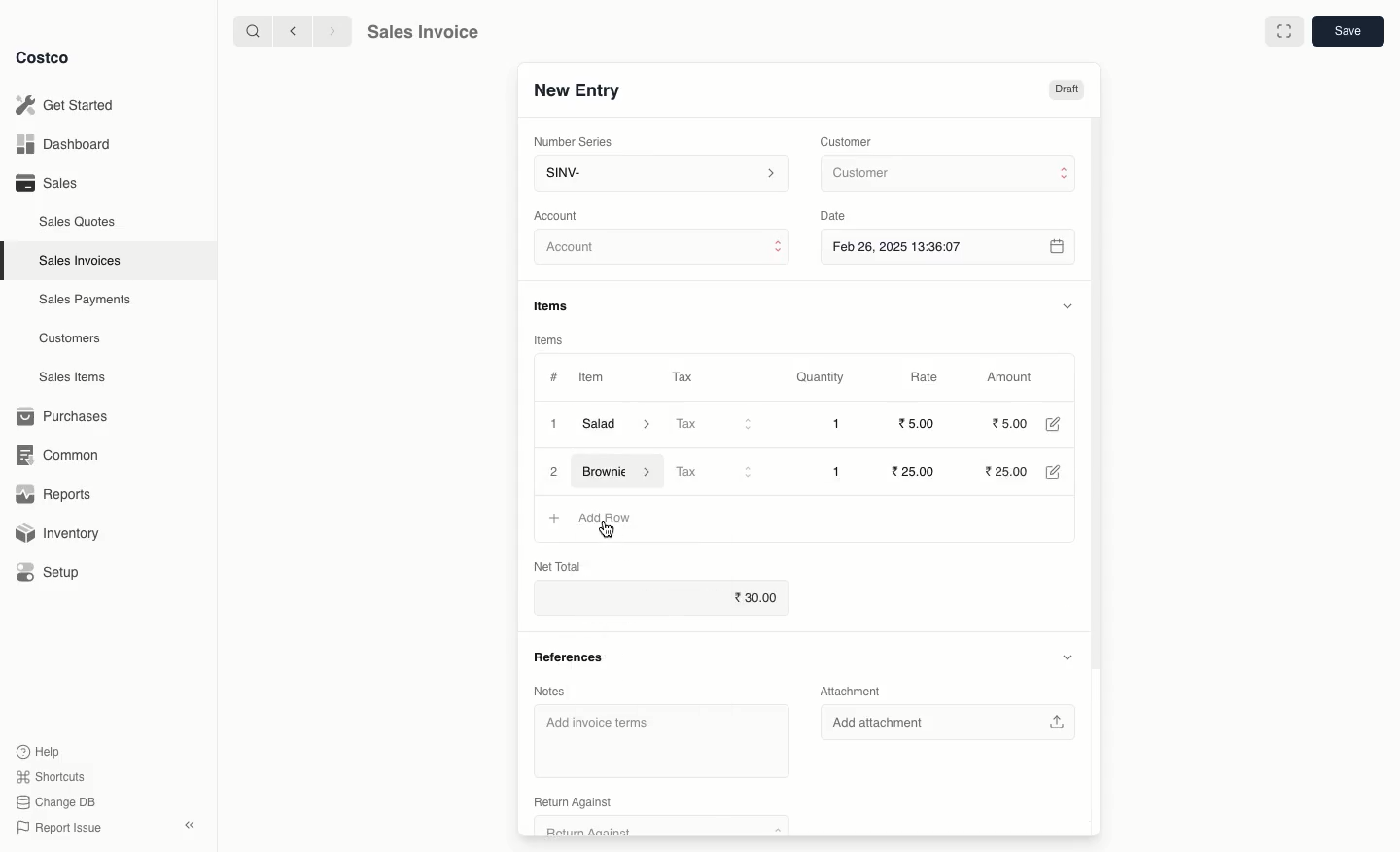  Describe the element at coordinates (64, 104) in the screenshot. I see `Get Started` at that location.